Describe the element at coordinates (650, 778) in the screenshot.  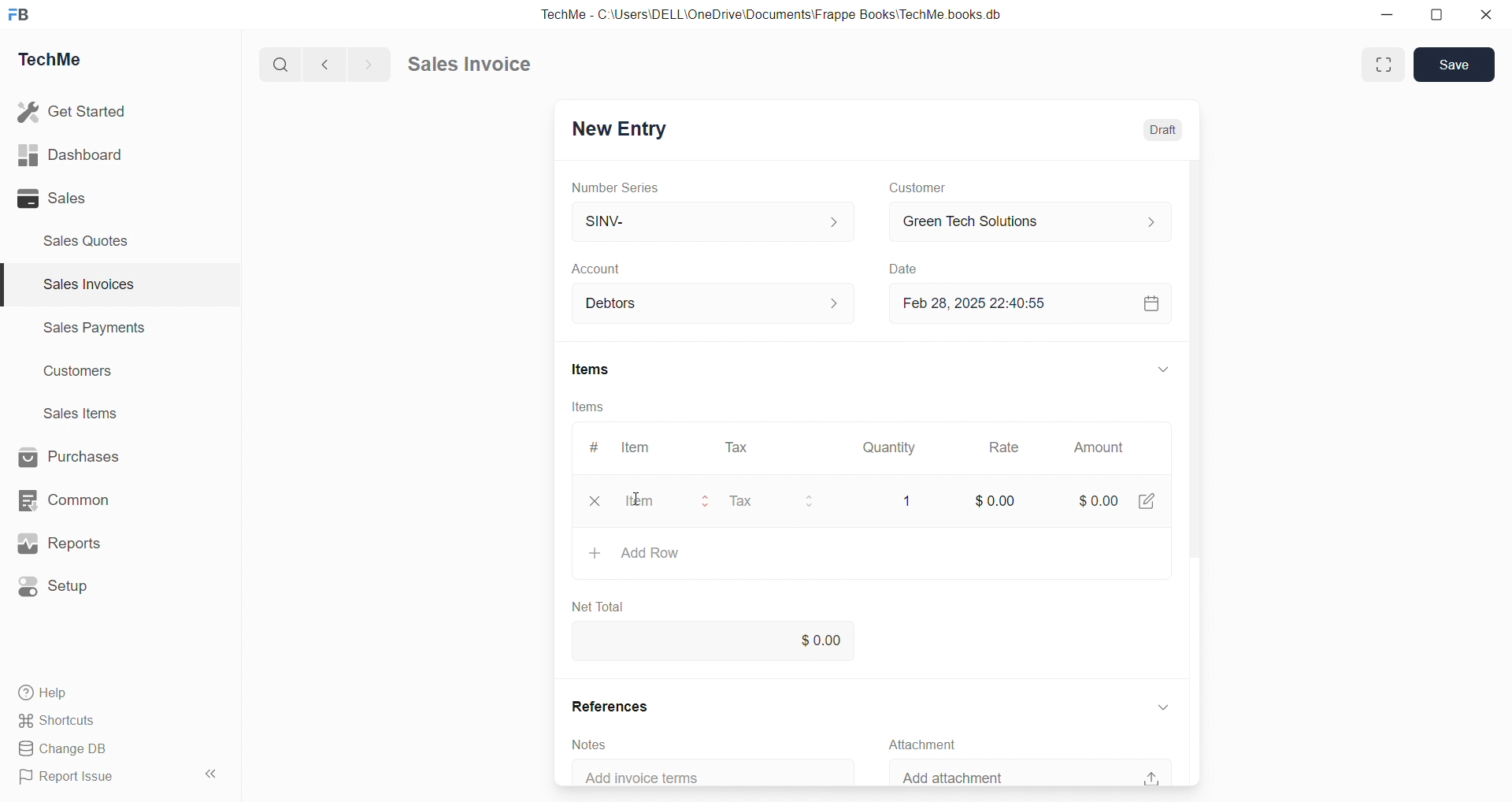
I see `Add invoice terms` at that location.